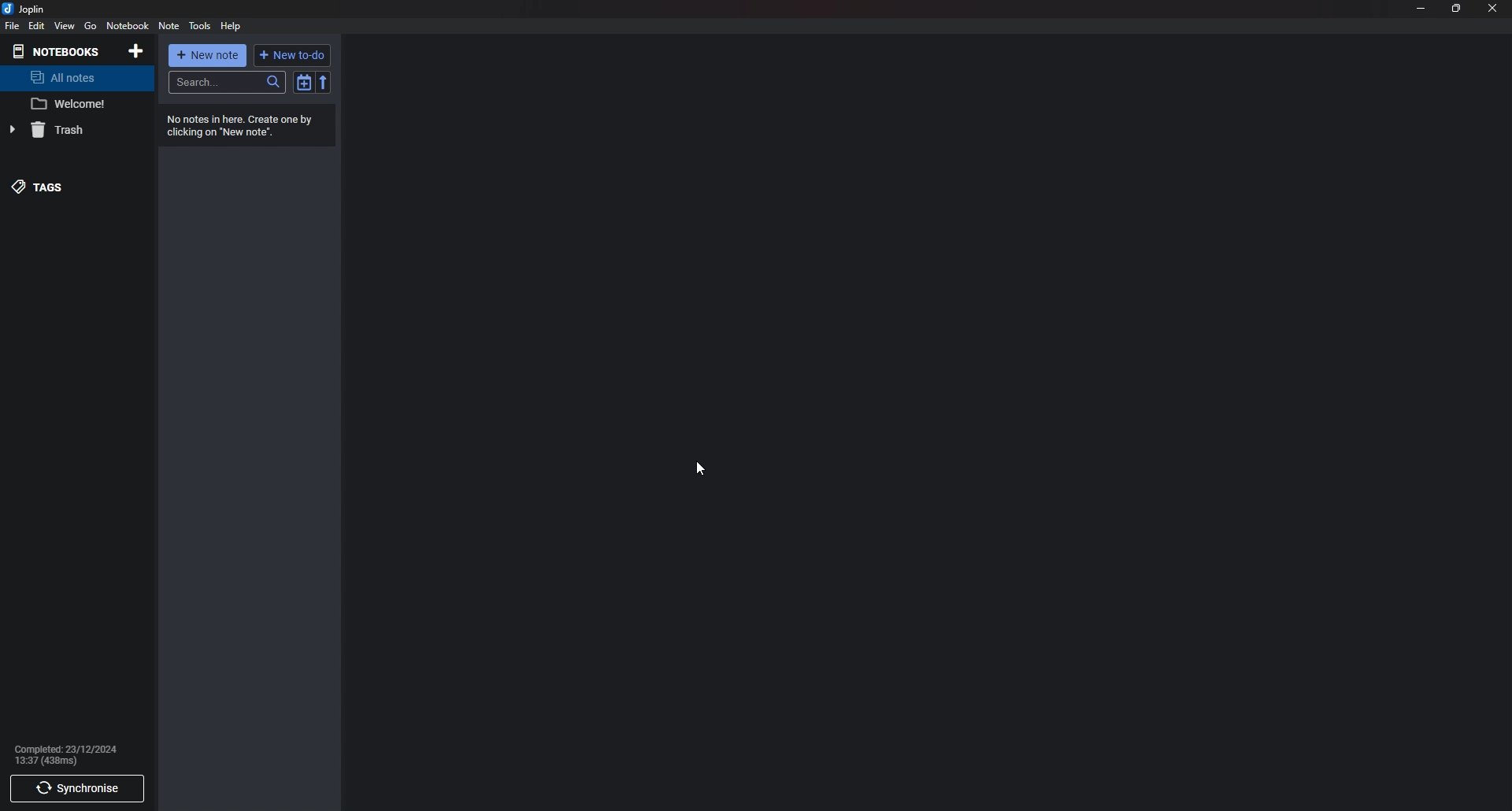  Describe the element at coordinates (135, 52) in the screenshot. I see `Add notebooks` at that location.